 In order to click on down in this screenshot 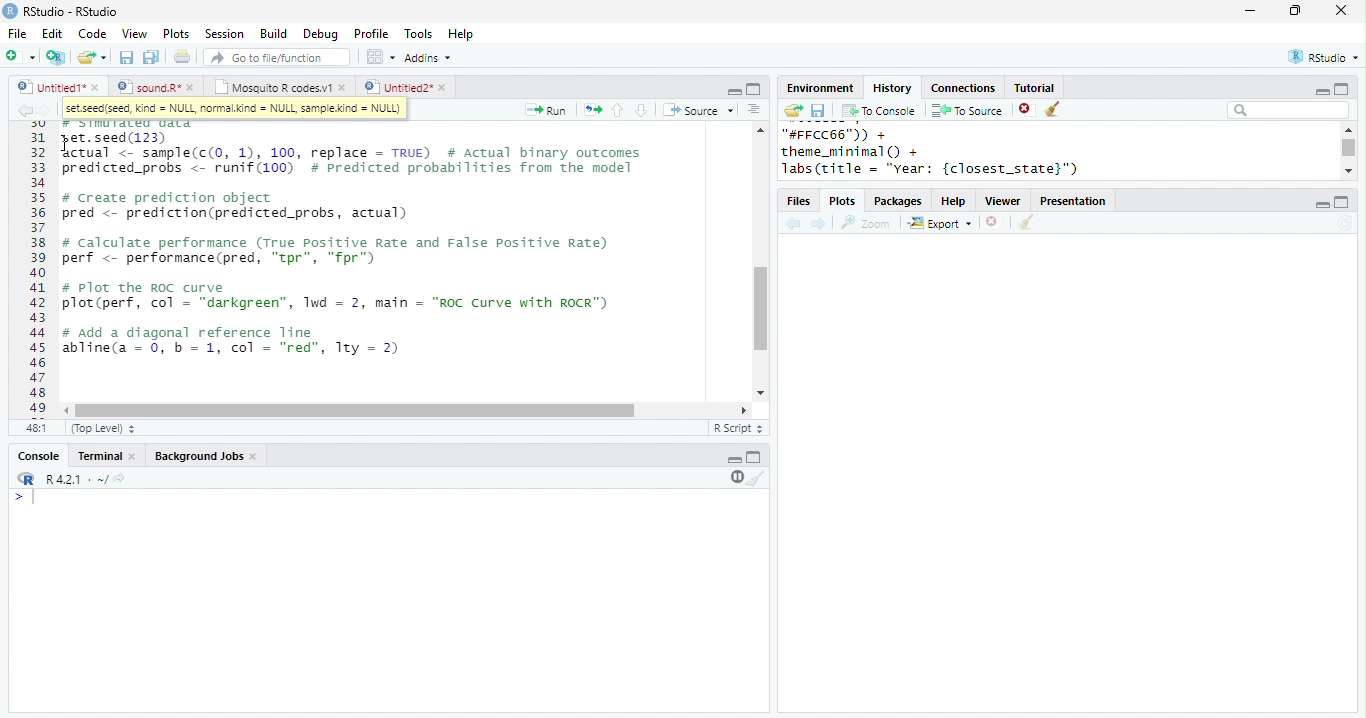, I will do `click(640, 110)`.